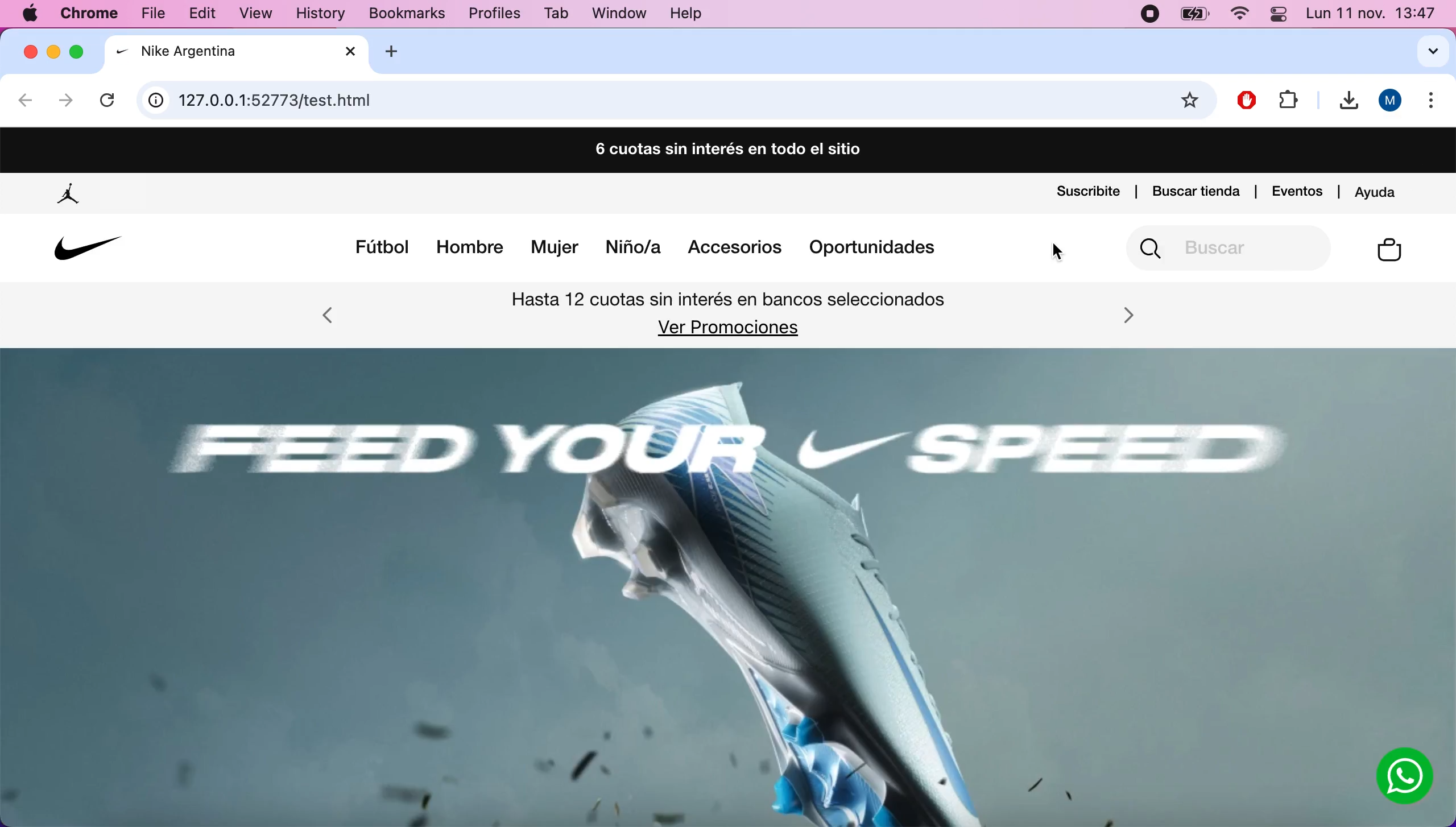 This screenshot has width=1456, height=827. What do you see at coordinates (1196, 189) in the screenshot?
I see `buscar tienda` at bounding box center [1196, 189].